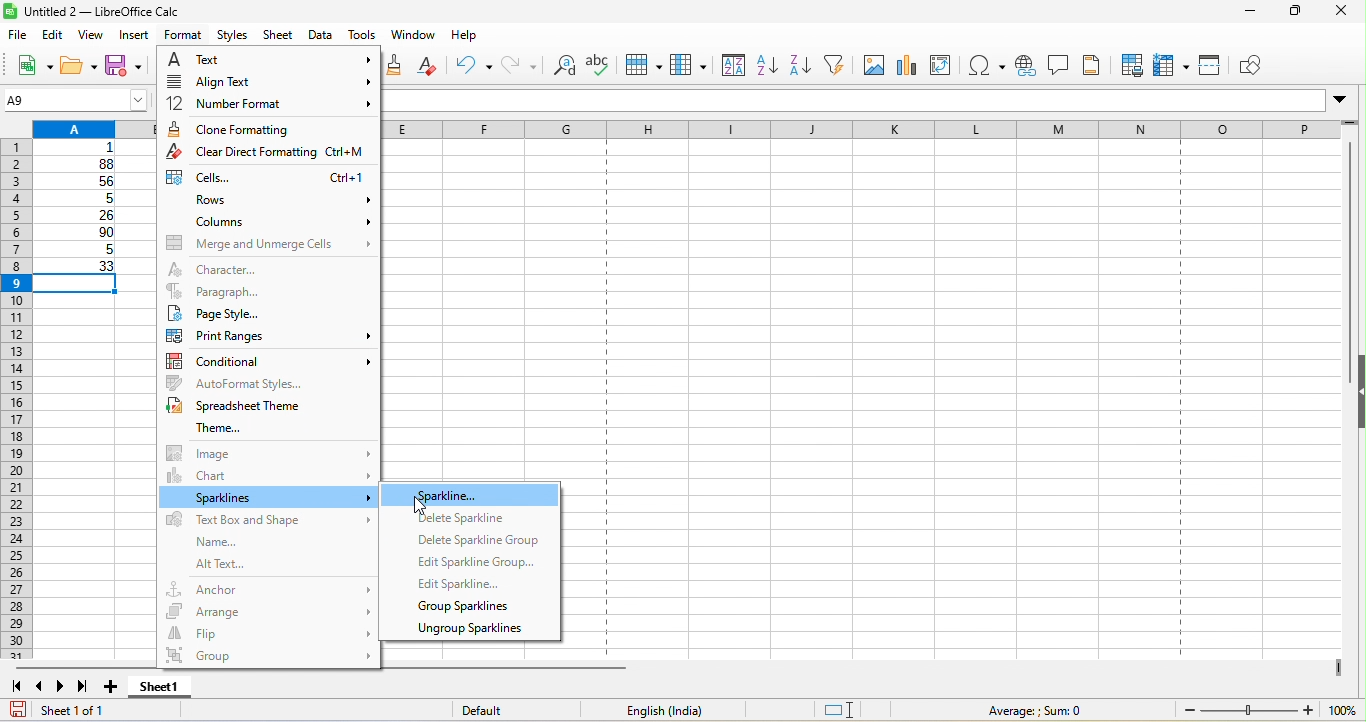 This screenshot has height=722, width=1366. I want to click on sheet, so click(280, 36).